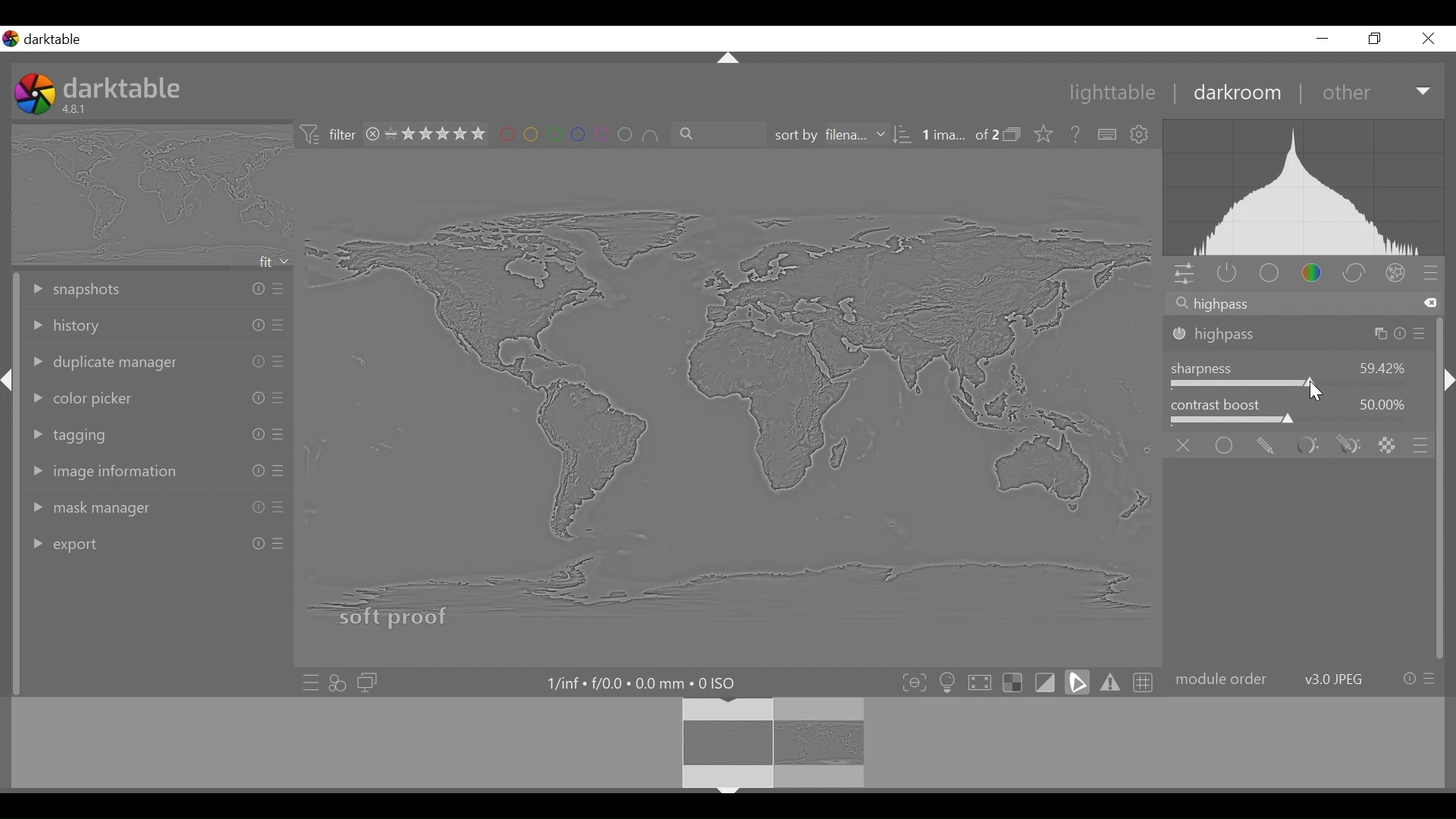 The height and width of the screenshot is (819, 1456). Describe the element at coordinates (1376, 39) in the screenshot. I see `restore` at that location.